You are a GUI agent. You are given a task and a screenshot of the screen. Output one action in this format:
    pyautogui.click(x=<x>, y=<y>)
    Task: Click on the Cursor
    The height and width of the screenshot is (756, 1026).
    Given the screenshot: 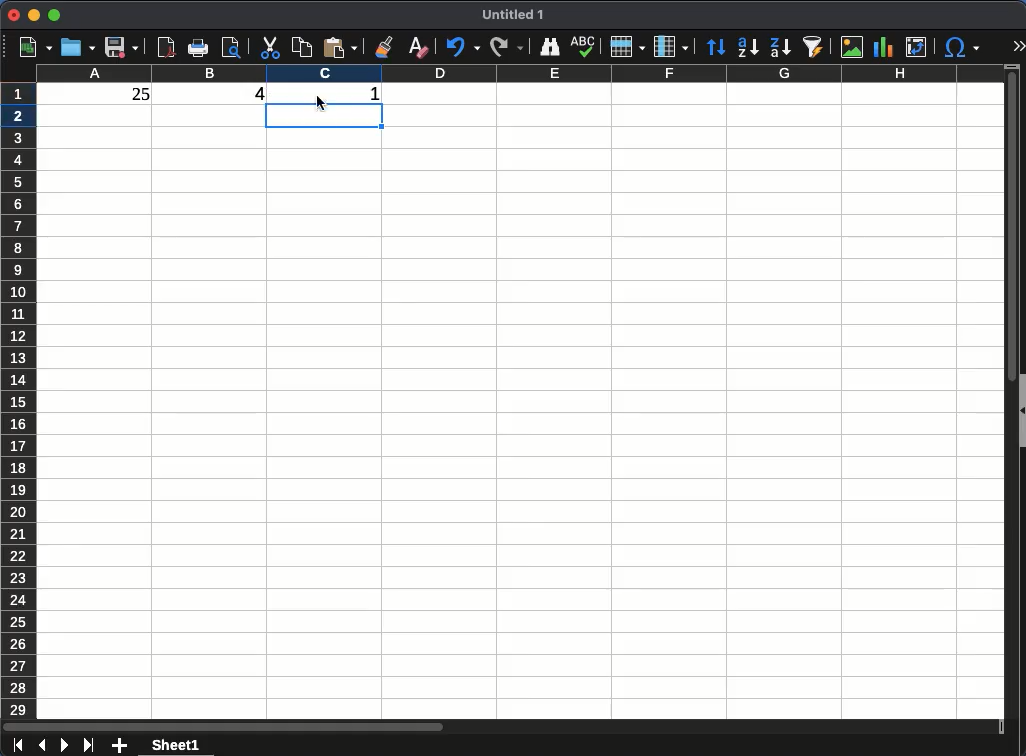 What is the action you would take?
    pyautogui.click(x=327, y=102)
    